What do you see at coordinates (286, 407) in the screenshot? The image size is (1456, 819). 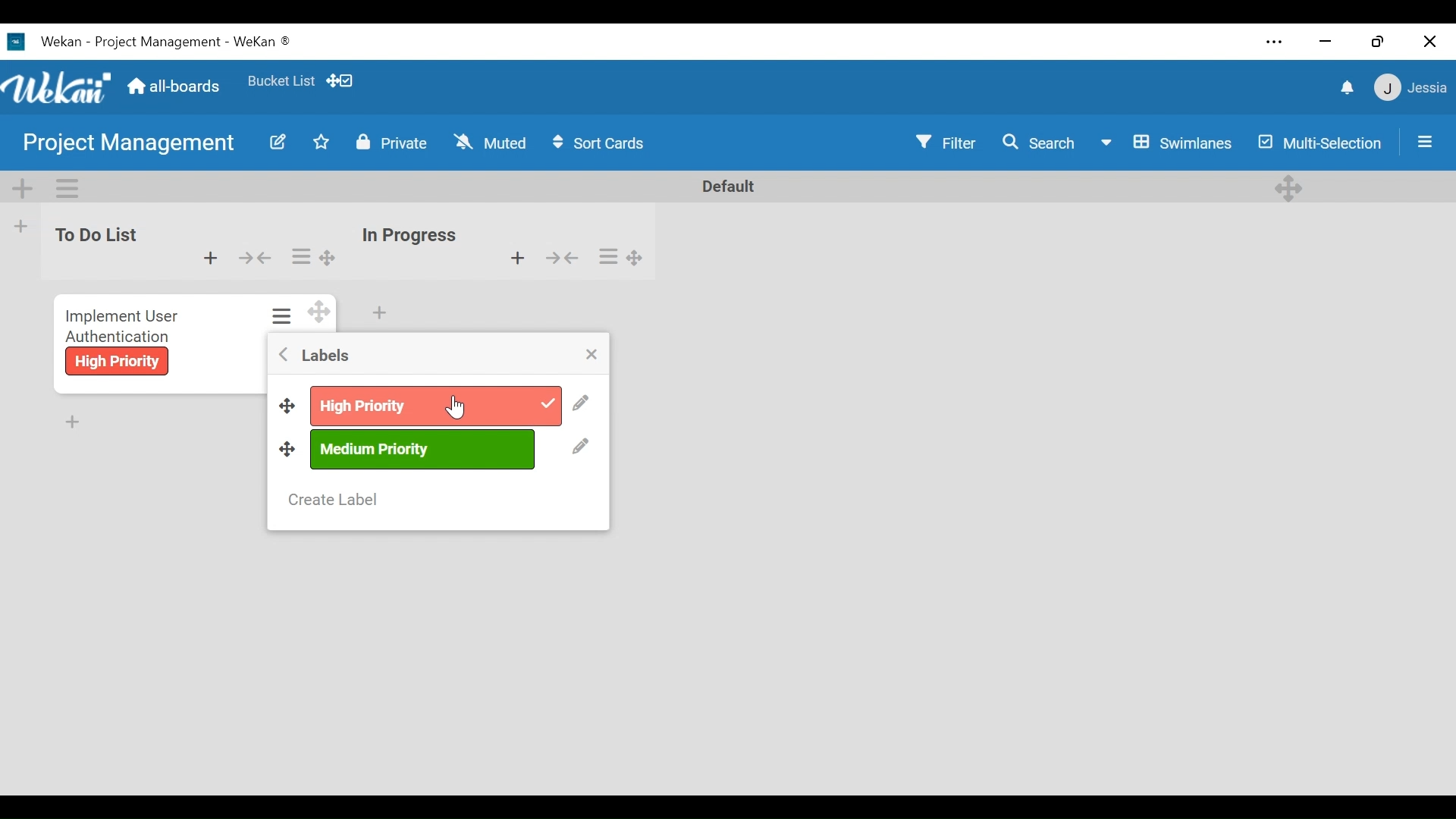 I see `drag handles` at bounding box center [286, 407].